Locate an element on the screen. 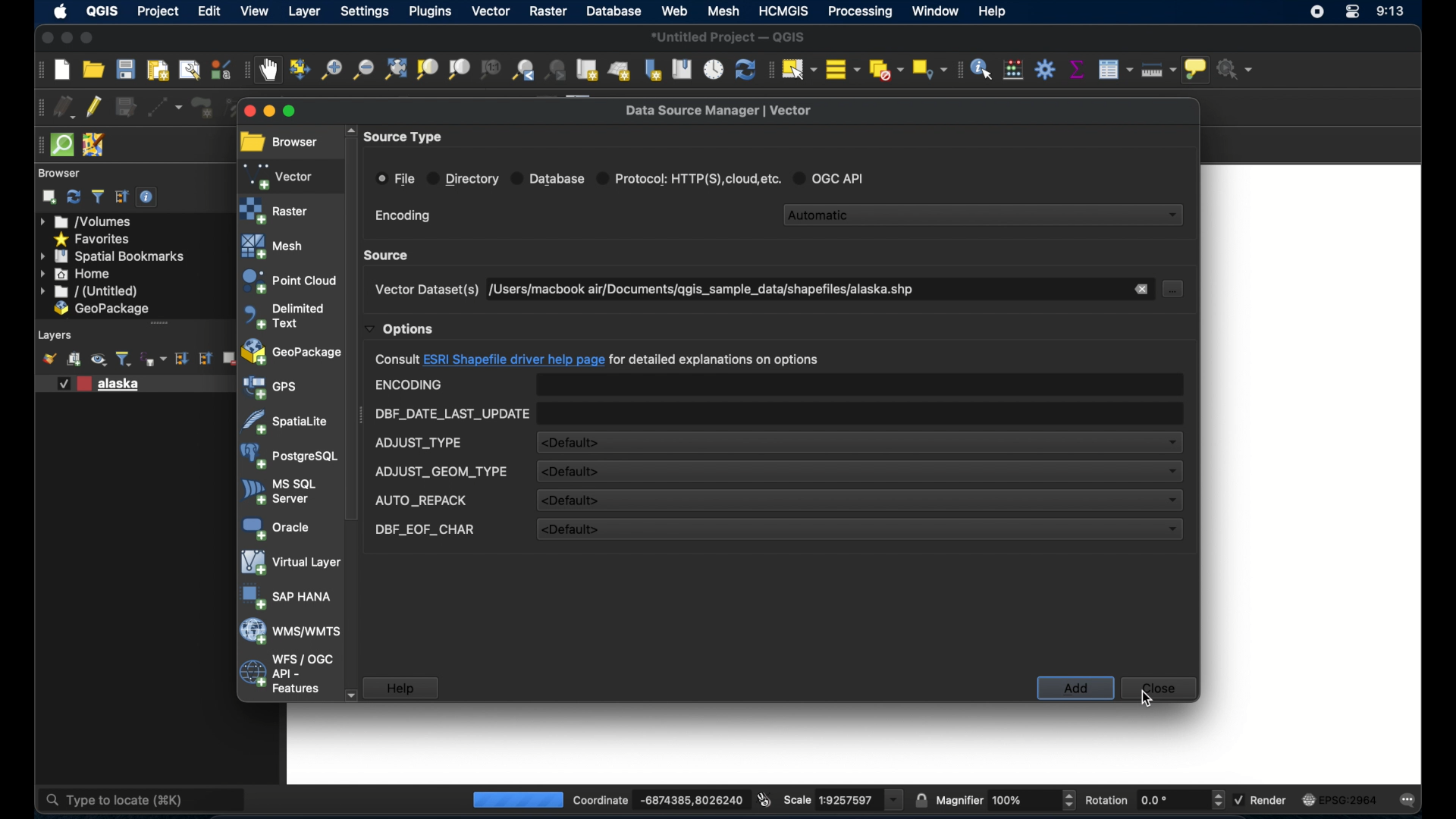 The image size is (1456, 819). Layers is located at coordinates (52, 335).